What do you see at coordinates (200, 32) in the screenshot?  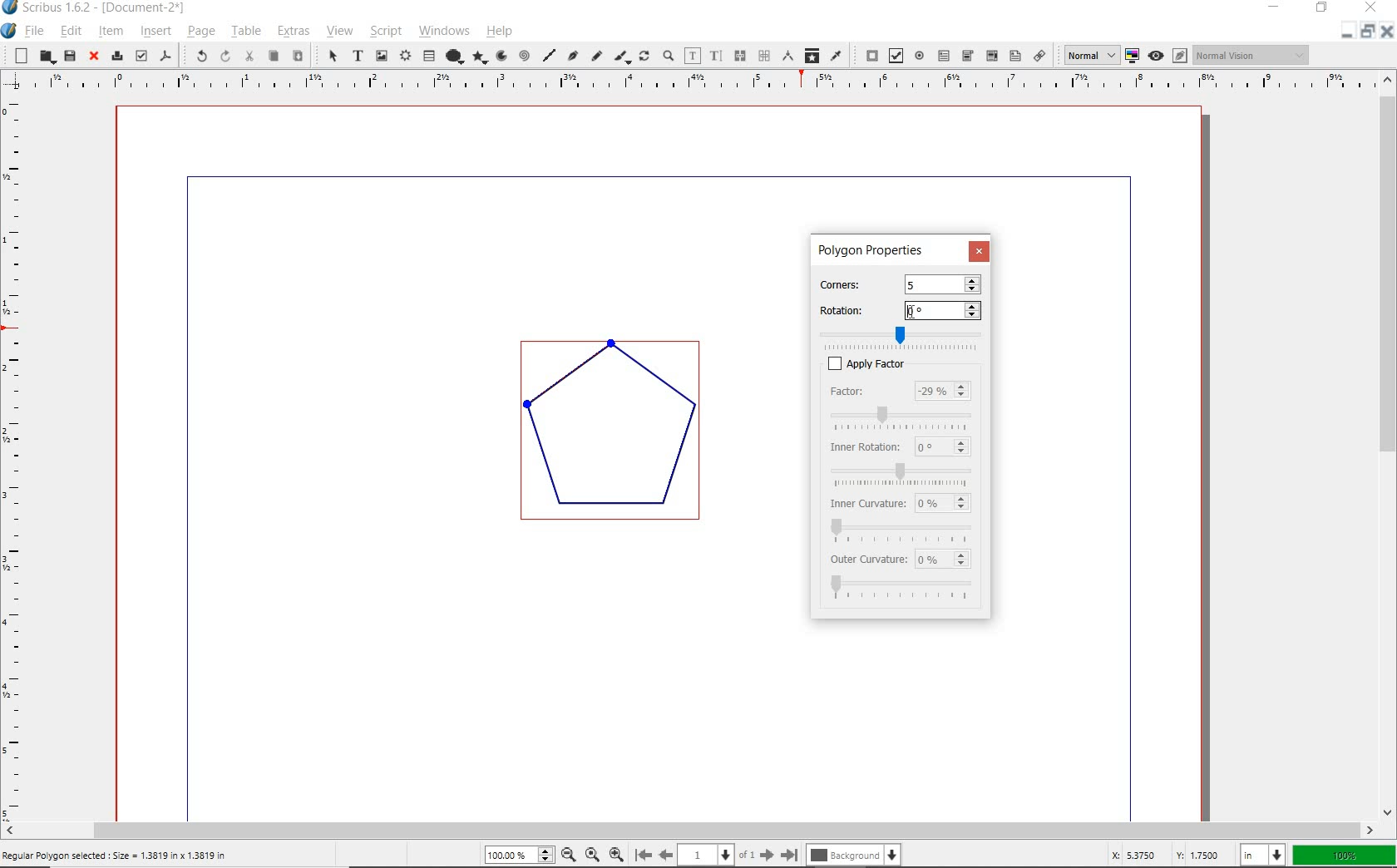 I see `page` at bounding box center [200, 32].